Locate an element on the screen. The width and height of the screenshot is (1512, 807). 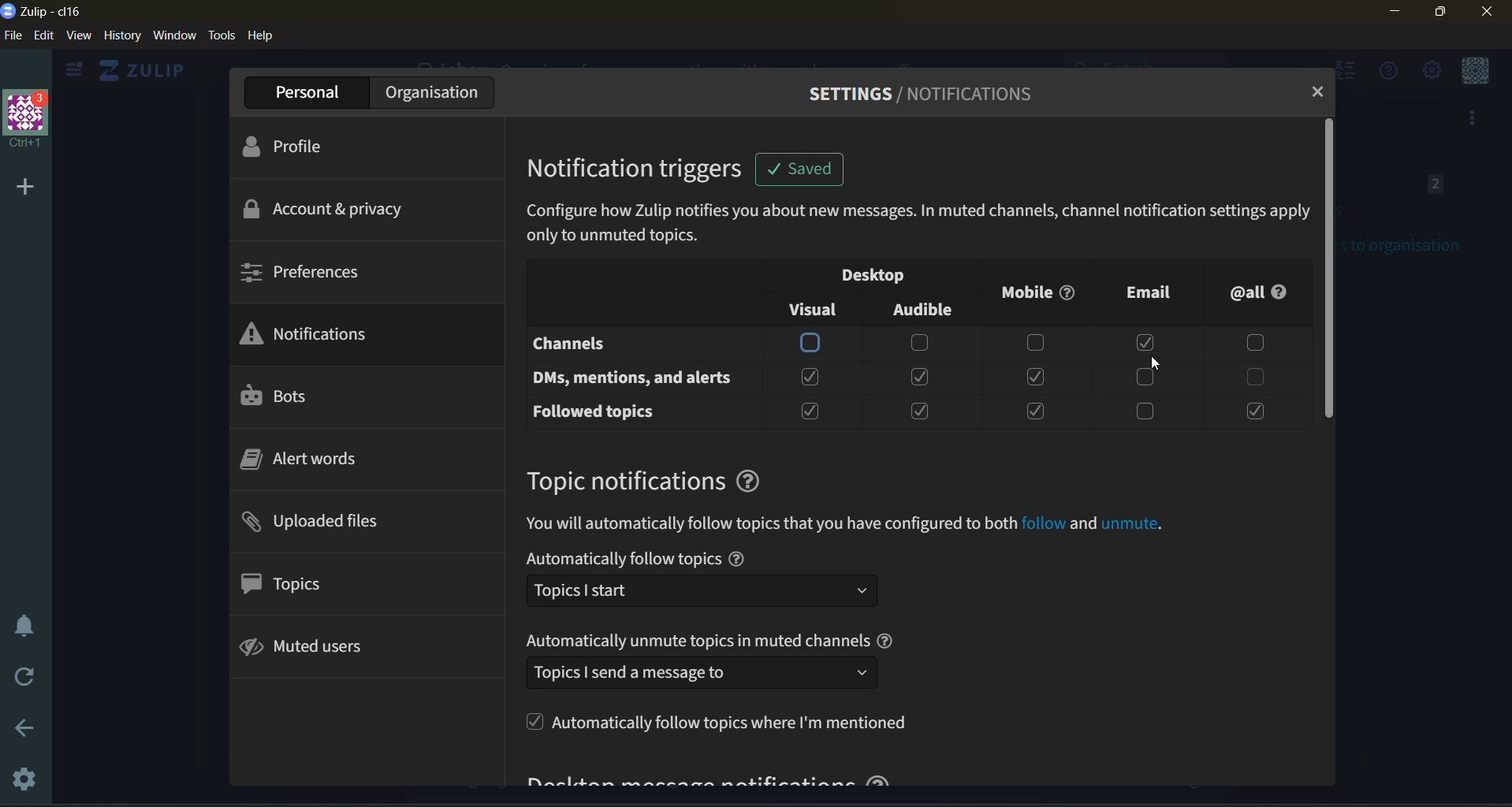
home view is located at coordinates (139, 70).